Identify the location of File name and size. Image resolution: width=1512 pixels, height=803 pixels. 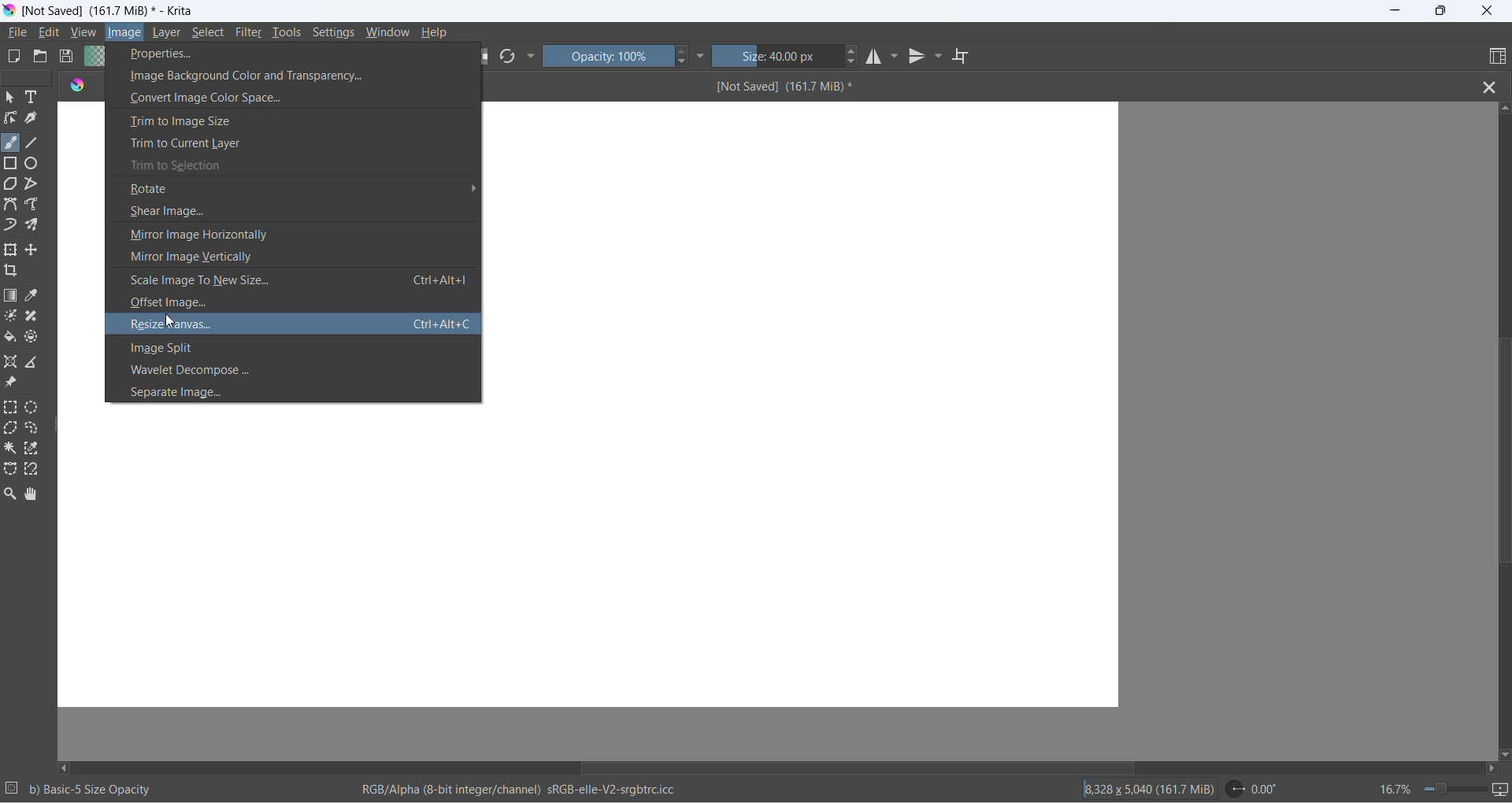
(105, 12).